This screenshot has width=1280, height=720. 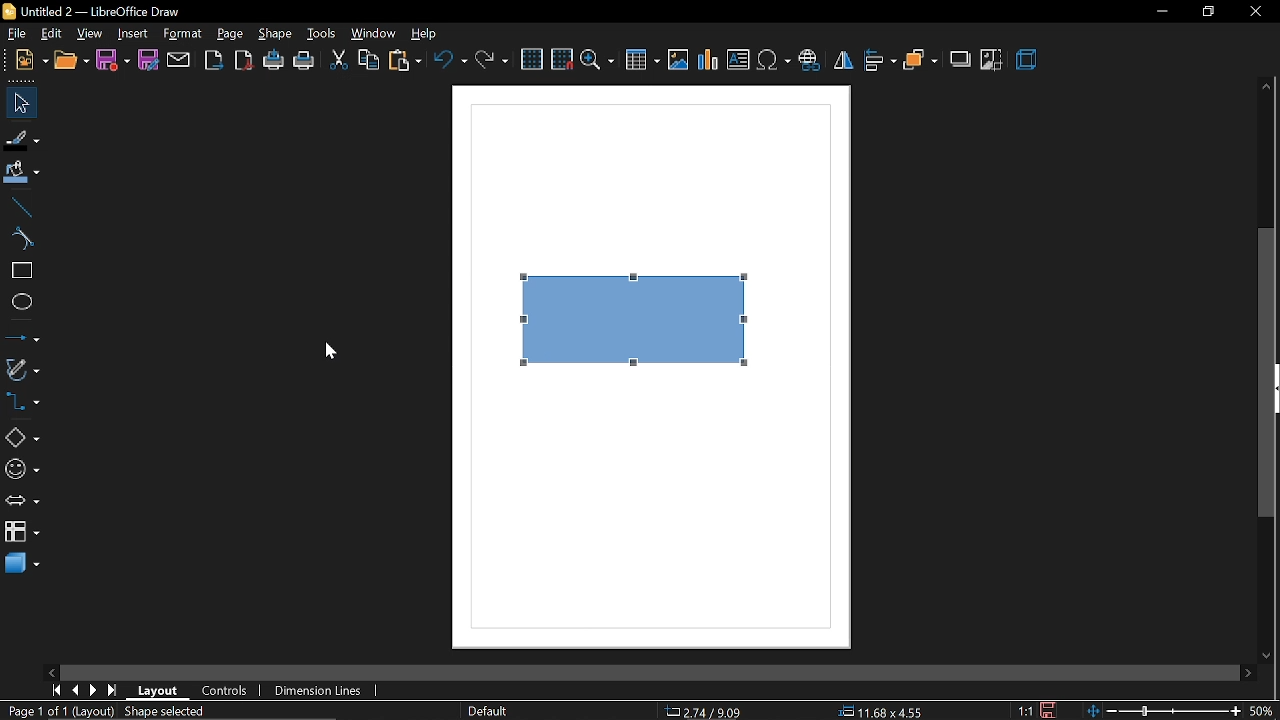 I want to click on shape selected, so click(x=167, y=713).